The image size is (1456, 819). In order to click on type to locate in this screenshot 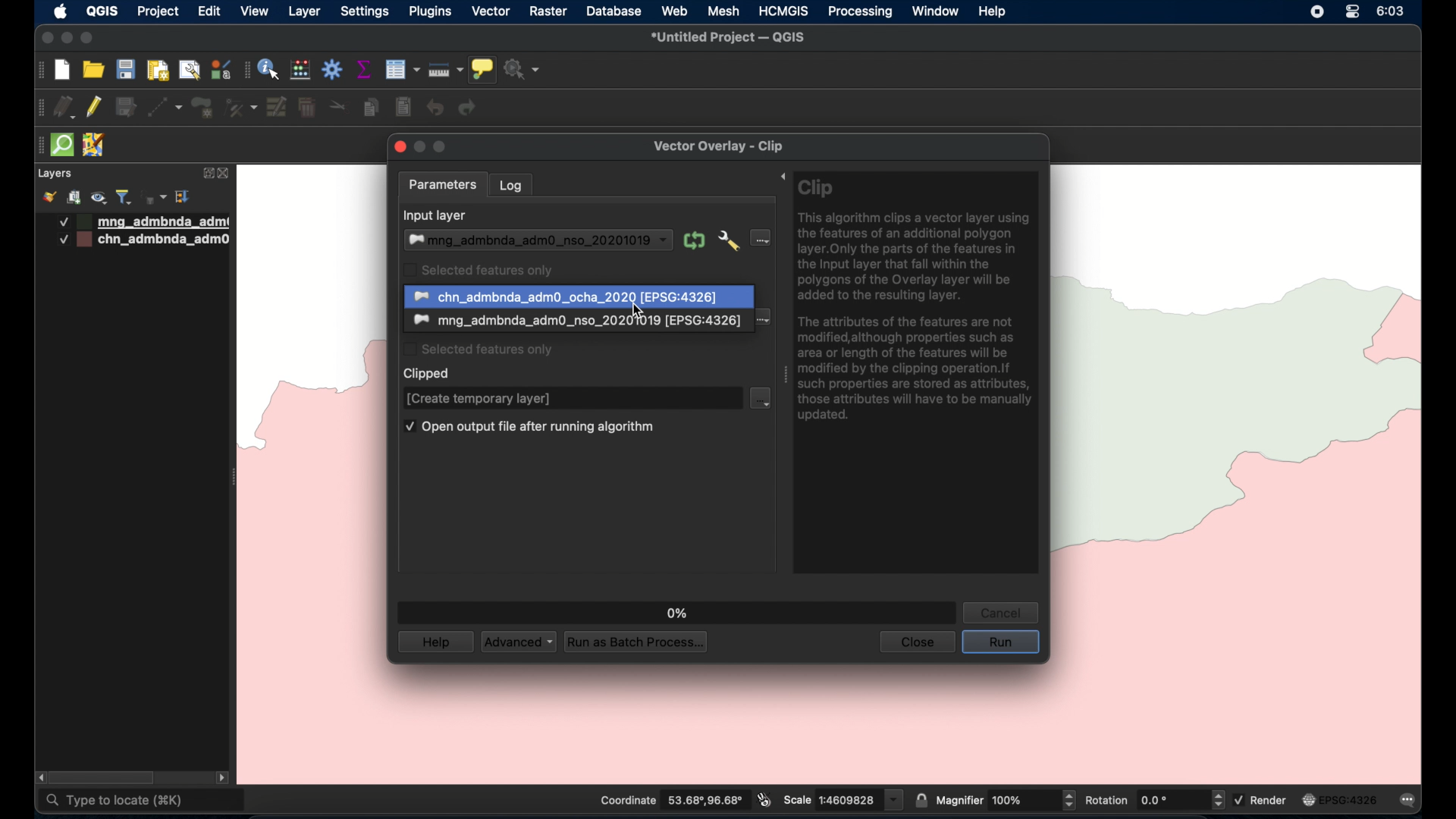, I will do `click(143, 802)`.